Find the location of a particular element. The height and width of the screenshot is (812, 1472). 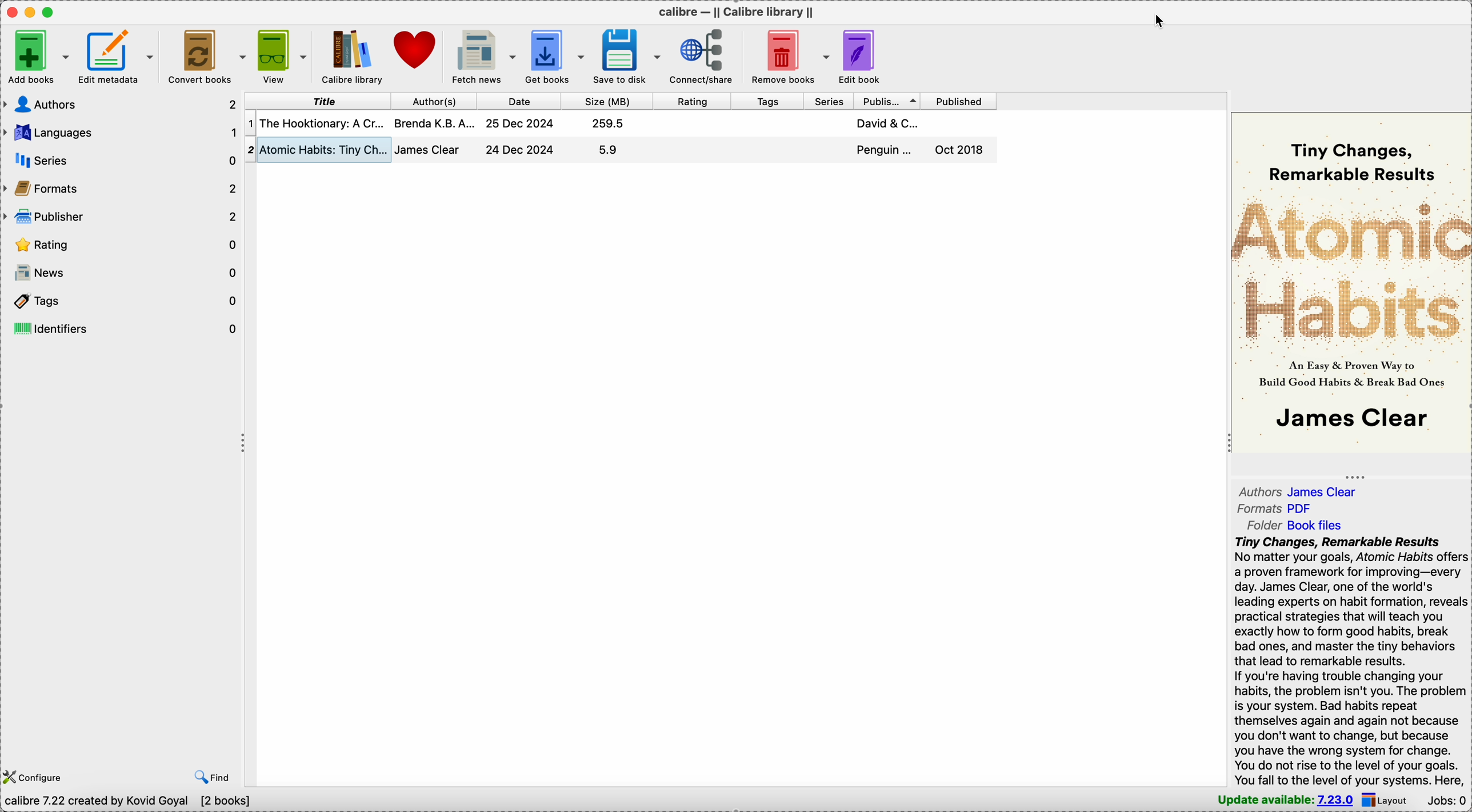

james clear is located at coordinates (1354, 418).